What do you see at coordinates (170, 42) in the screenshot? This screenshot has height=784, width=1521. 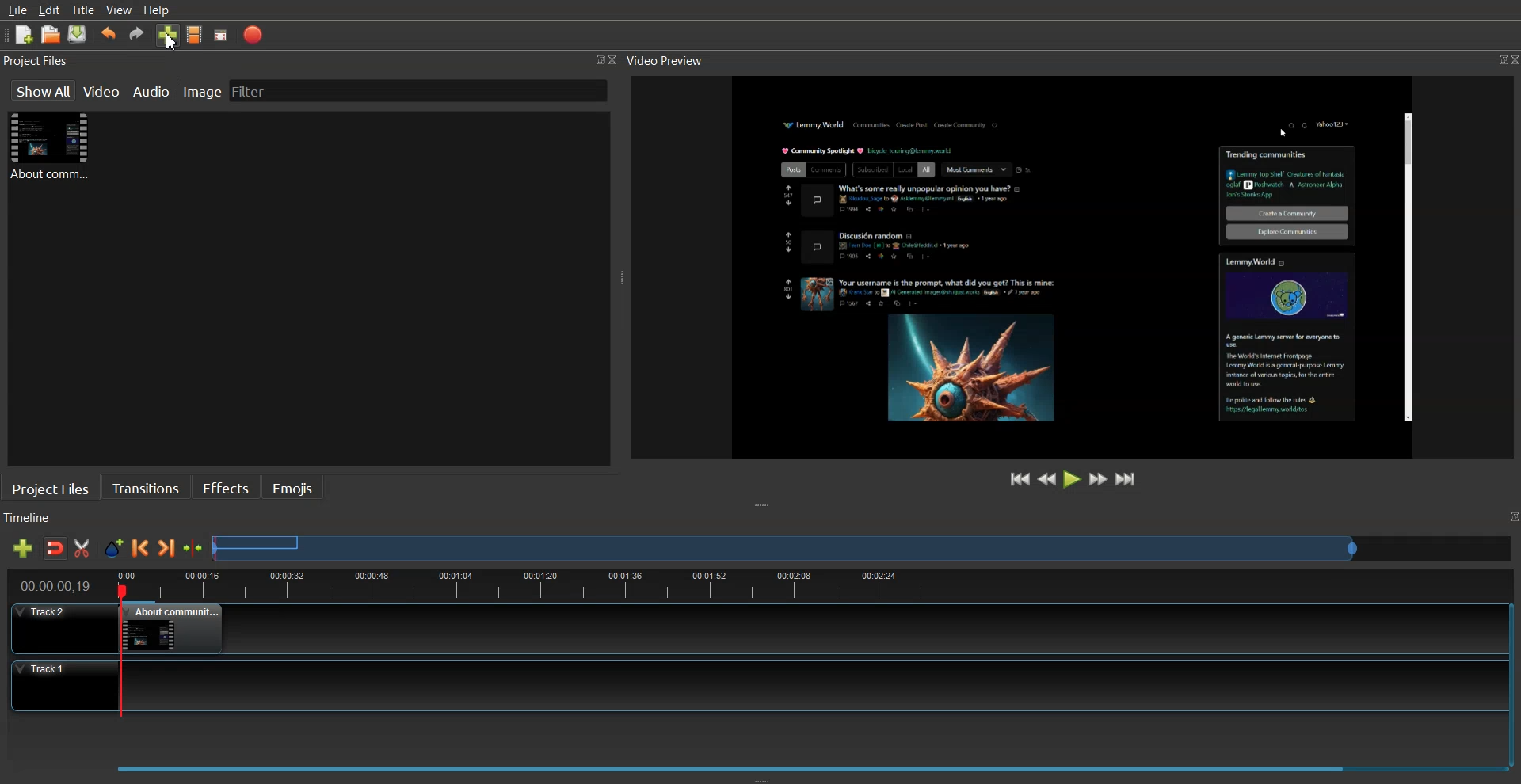 I see `Cursor` at bounding box center [170, 42].